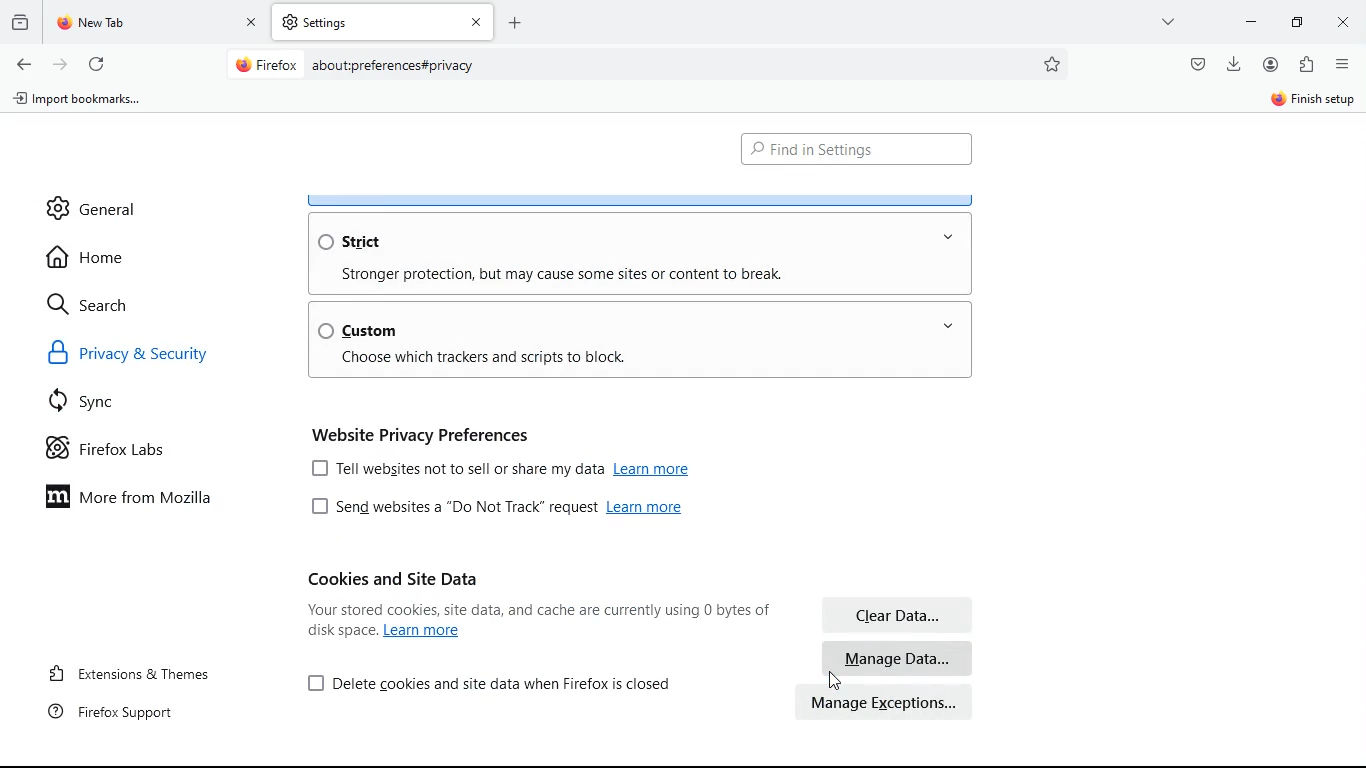  What do you see at coordinates (1302, 21) in the screenshot?
I see `minimize` at bounding box center [1302, 21].